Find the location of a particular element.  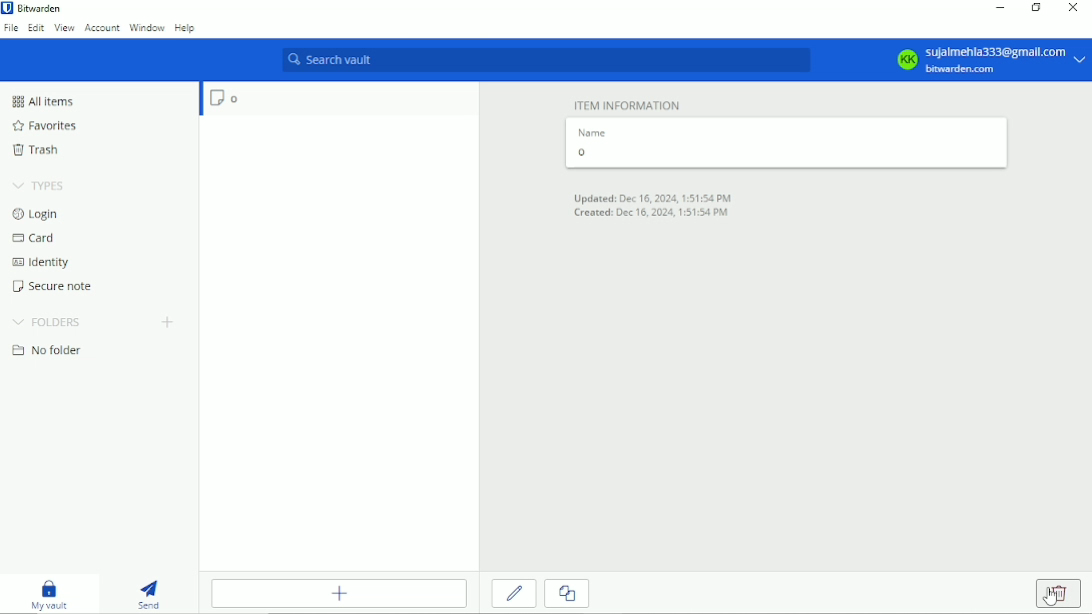

Secure note is located at coordinates (49, 287).